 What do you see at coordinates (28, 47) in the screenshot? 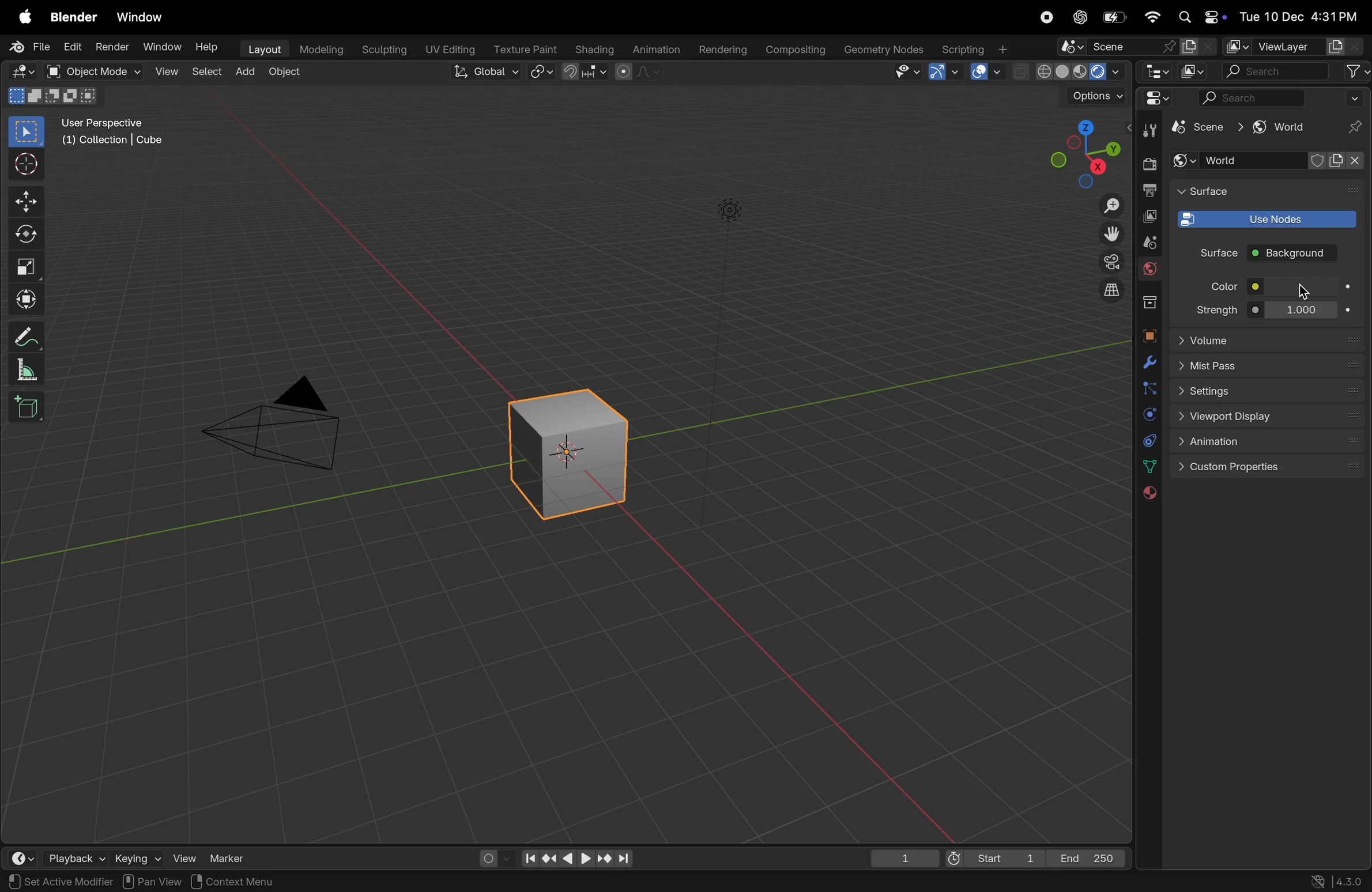
I see `File` at bounding box center [28, 47].